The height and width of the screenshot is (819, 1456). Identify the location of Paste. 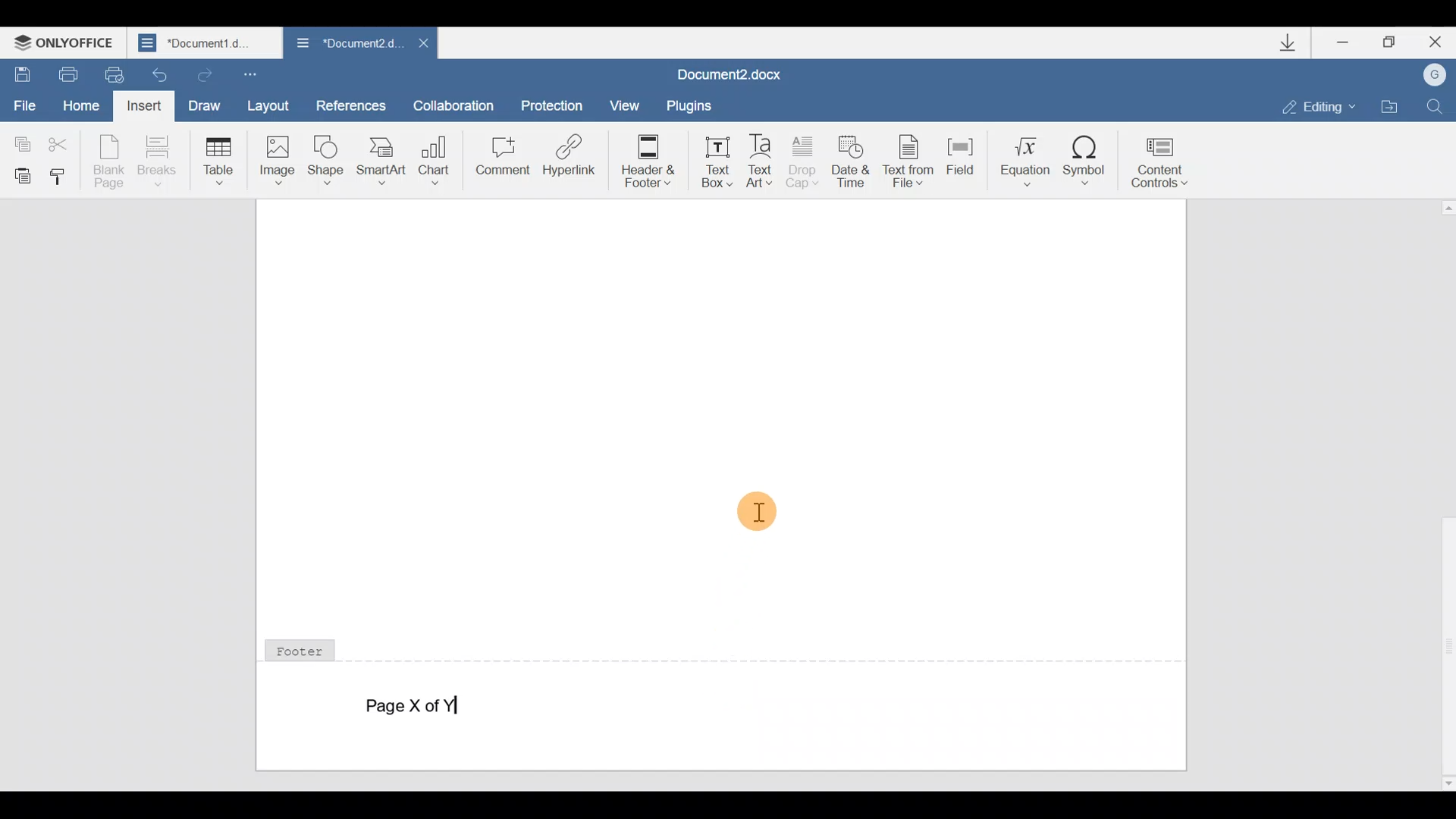
(20, 174).